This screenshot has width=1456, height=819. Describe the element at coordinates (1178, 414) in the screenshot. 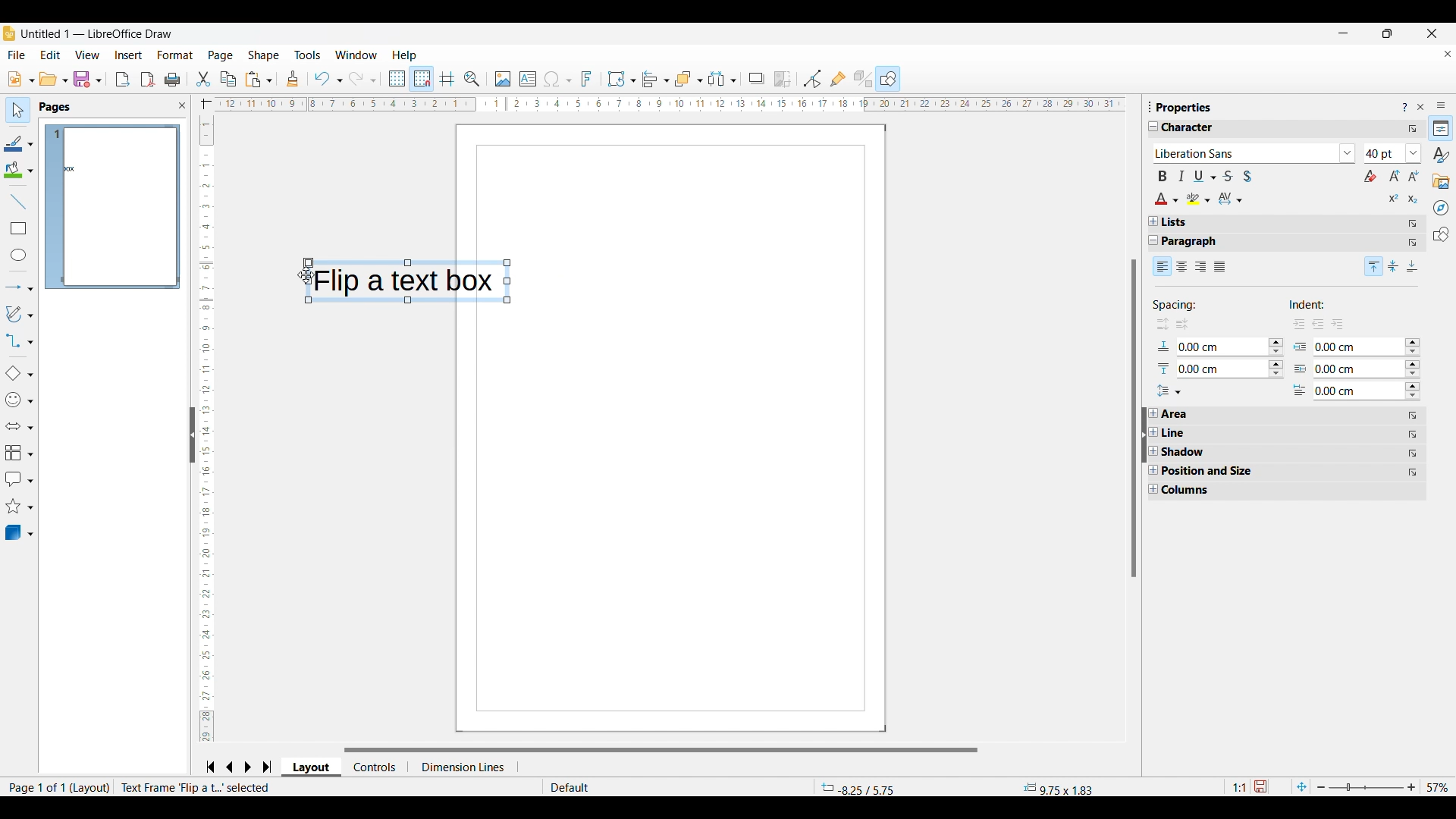

I see `Area property` at that location.